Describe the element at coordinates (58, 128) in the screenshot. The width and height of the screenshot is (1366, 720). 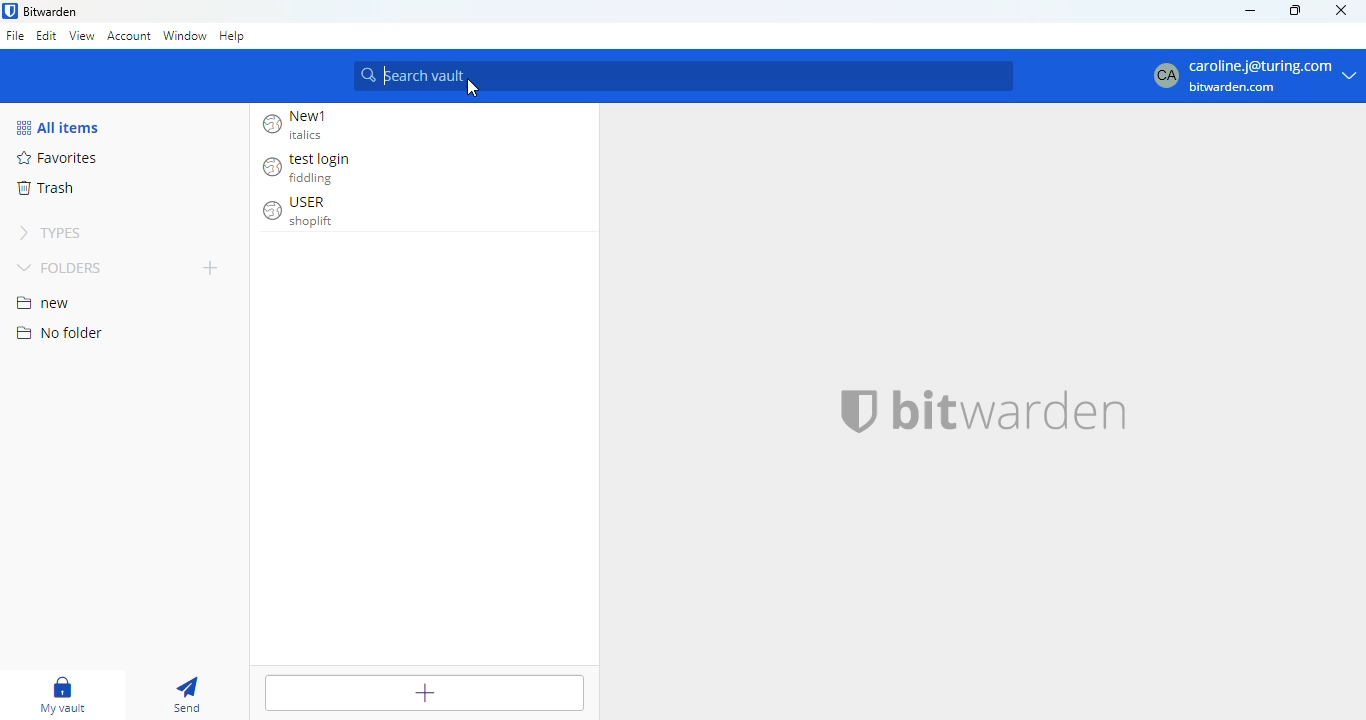
I see `all items` at that location.